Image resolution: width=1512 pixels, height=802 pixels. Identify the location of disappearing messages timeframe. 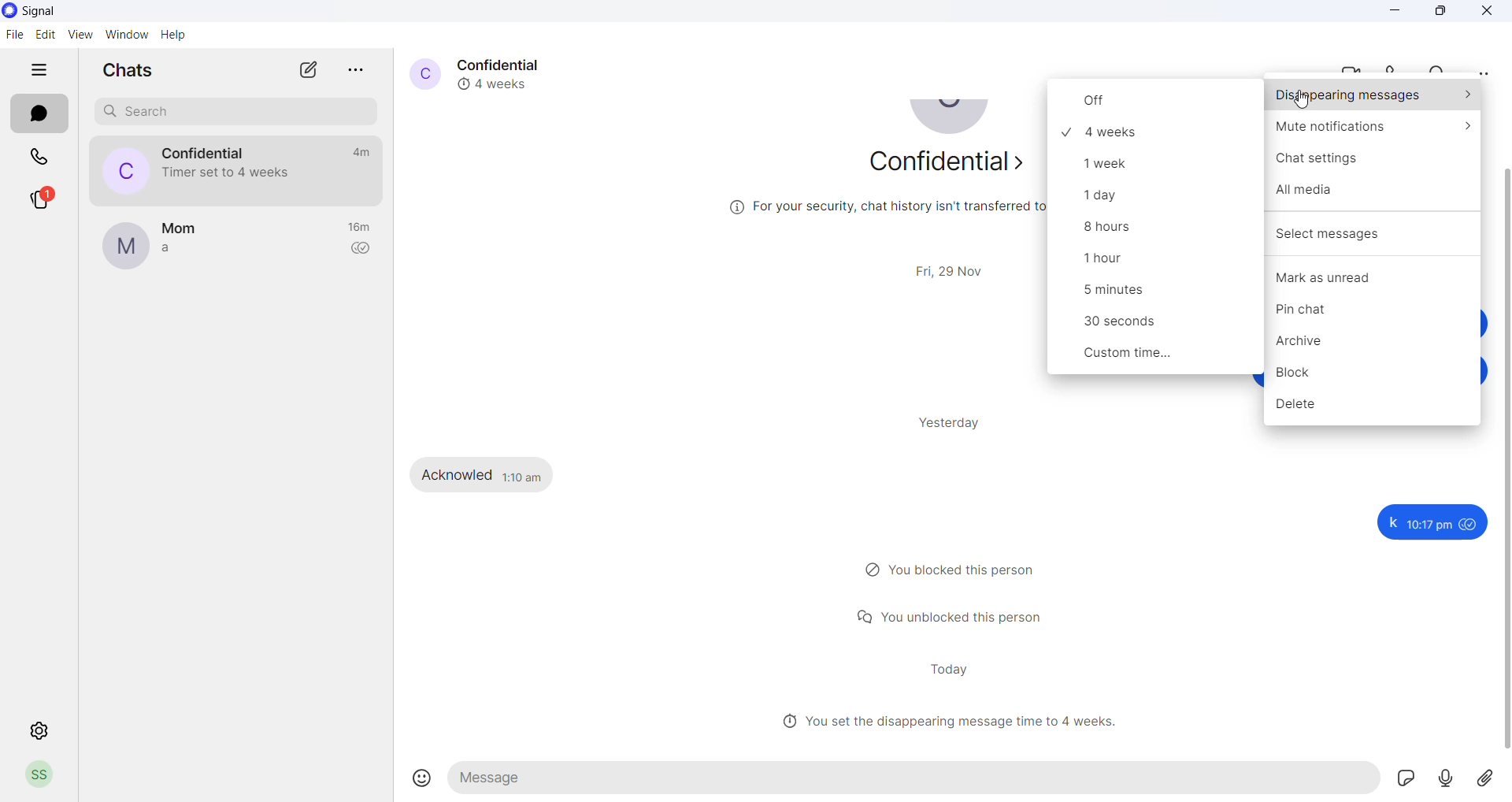
(1157, 132).